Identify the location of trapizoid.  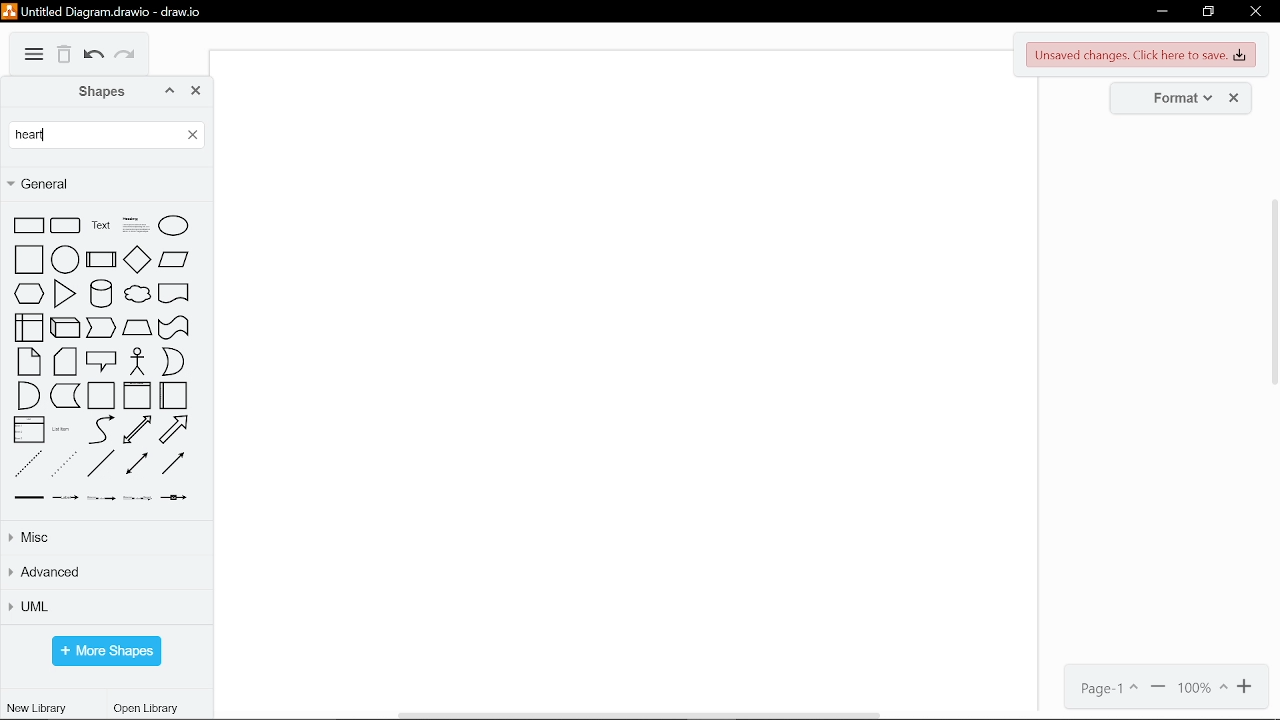
(137, 329).